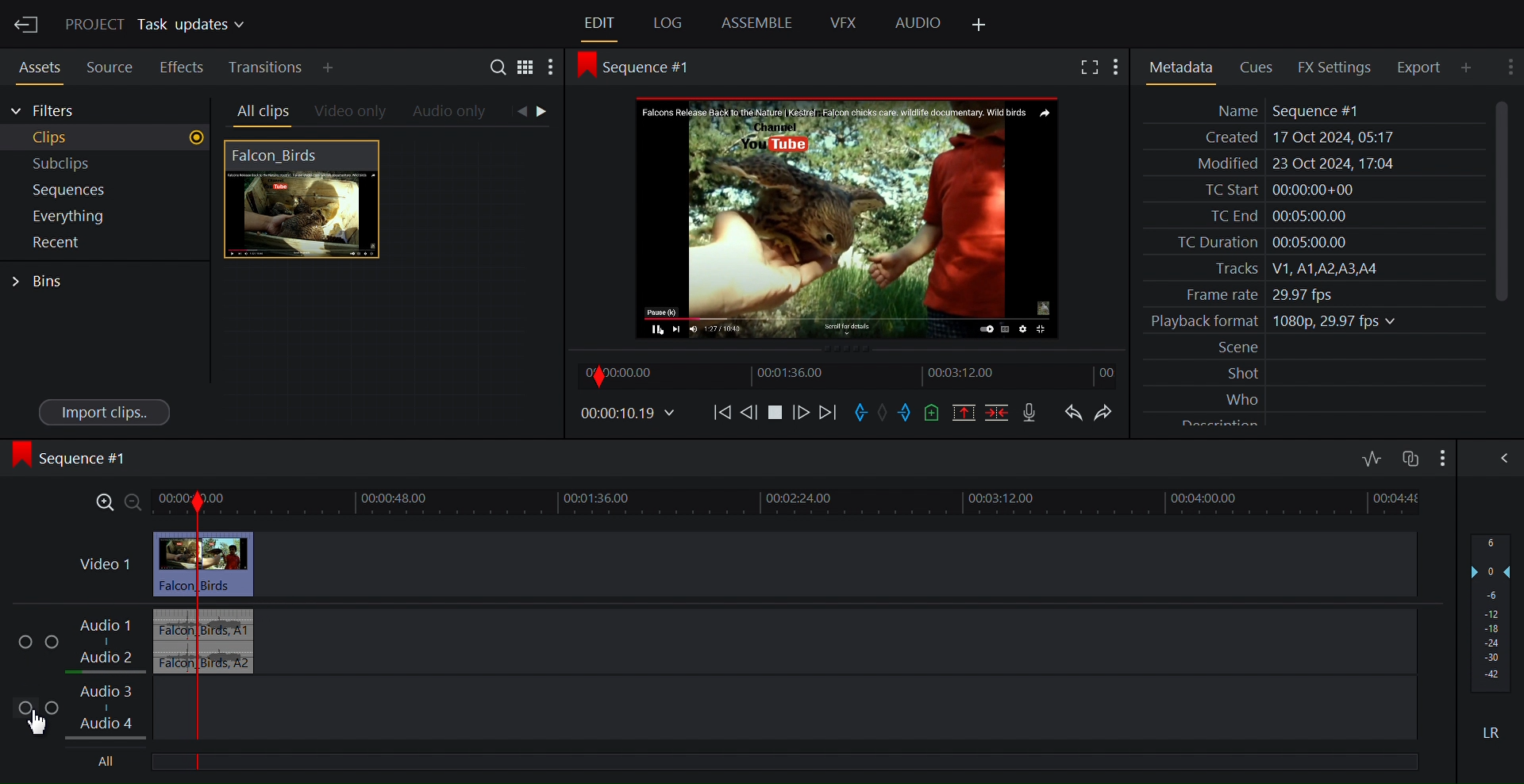 This screenshot has width=1524, height=784. Describe the element at coordinates (542, 111) in the screenshot. I see `Clip to go forward` at that location.